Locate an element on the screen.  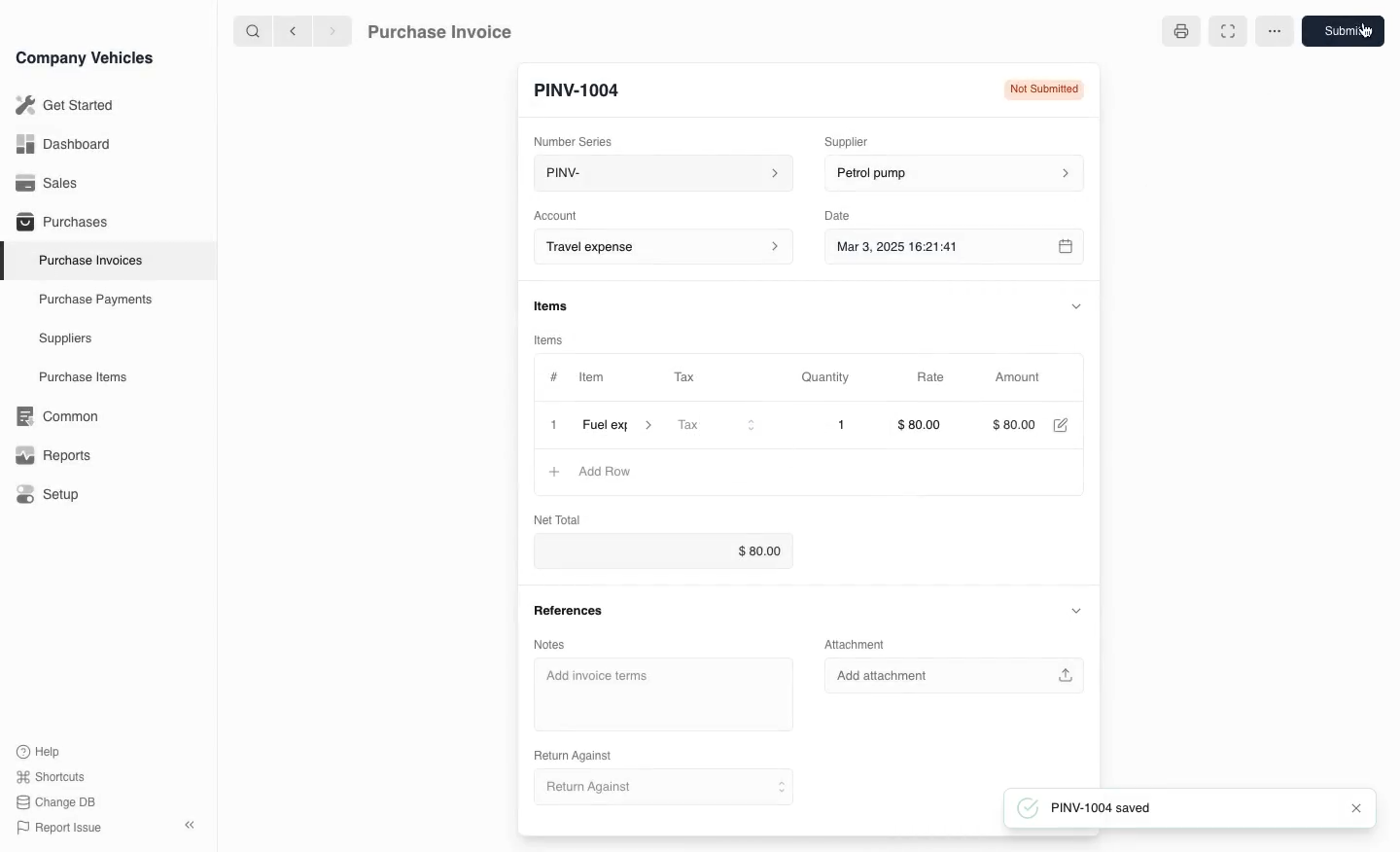
change DB is located at coordinates (58, 802).